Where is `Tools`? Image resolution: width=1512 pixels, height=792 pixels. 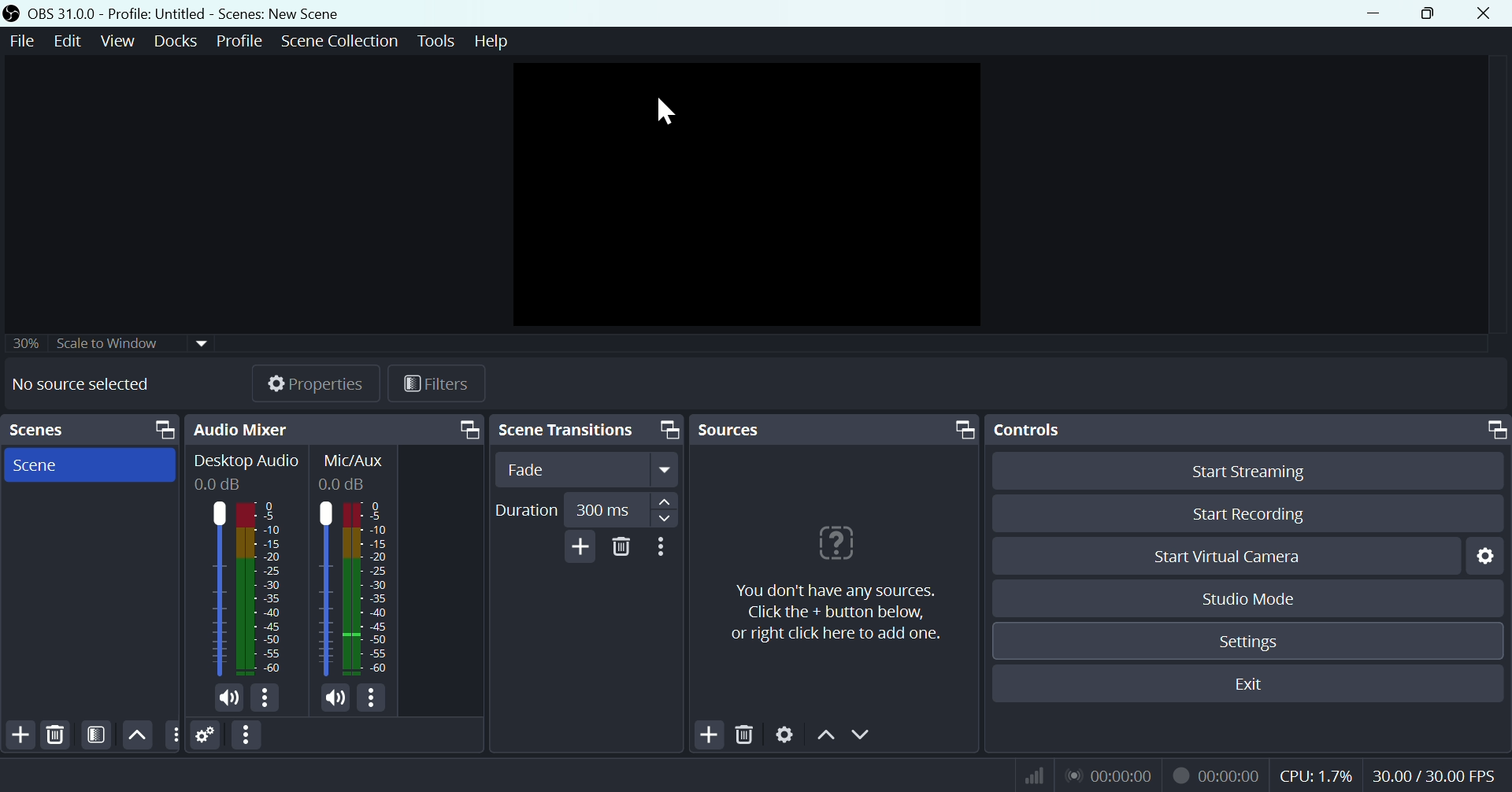
Tools is located at coordinates (435, 43).